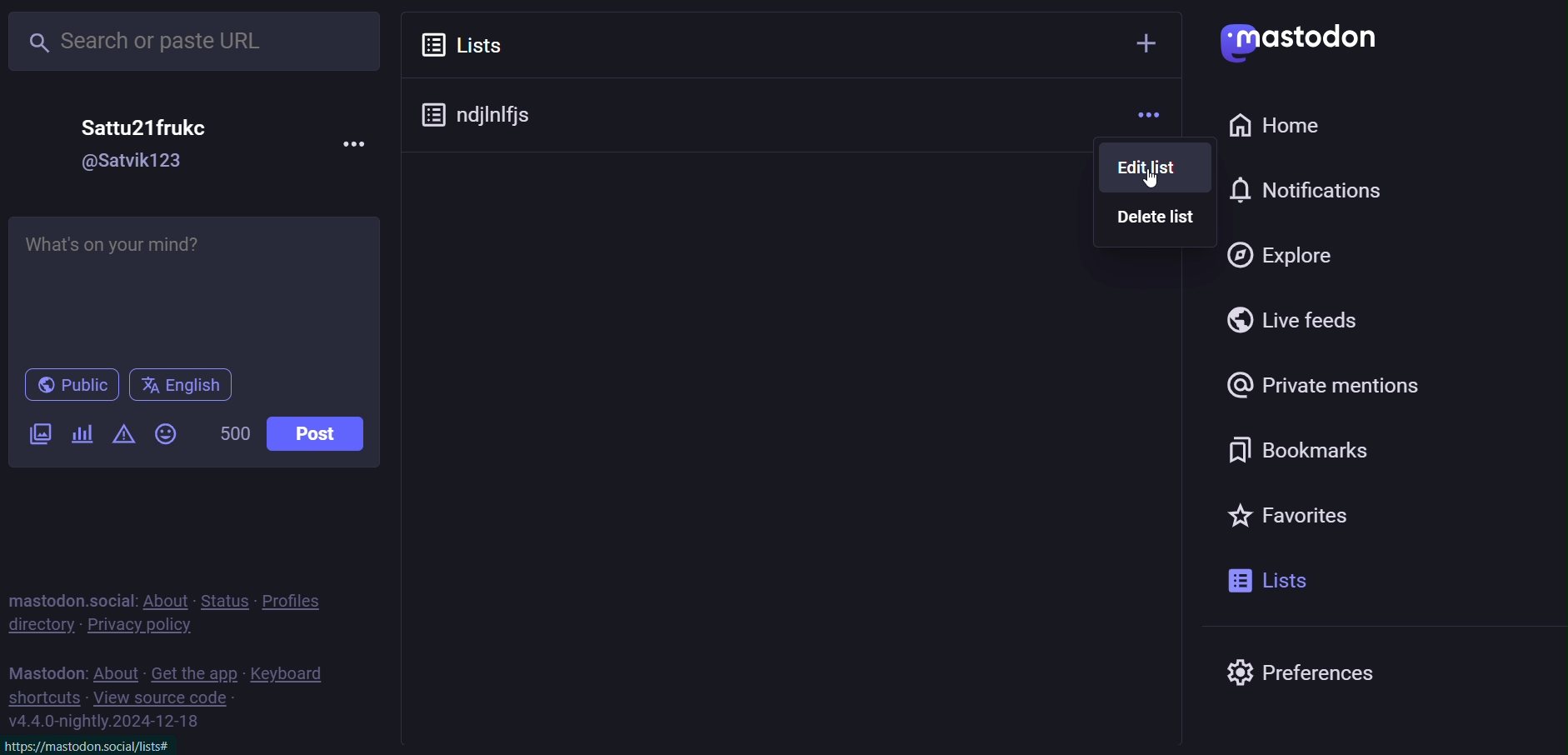 This screenshot has width=1568, height=755. I want to click on private mention, so click(1328, 387).